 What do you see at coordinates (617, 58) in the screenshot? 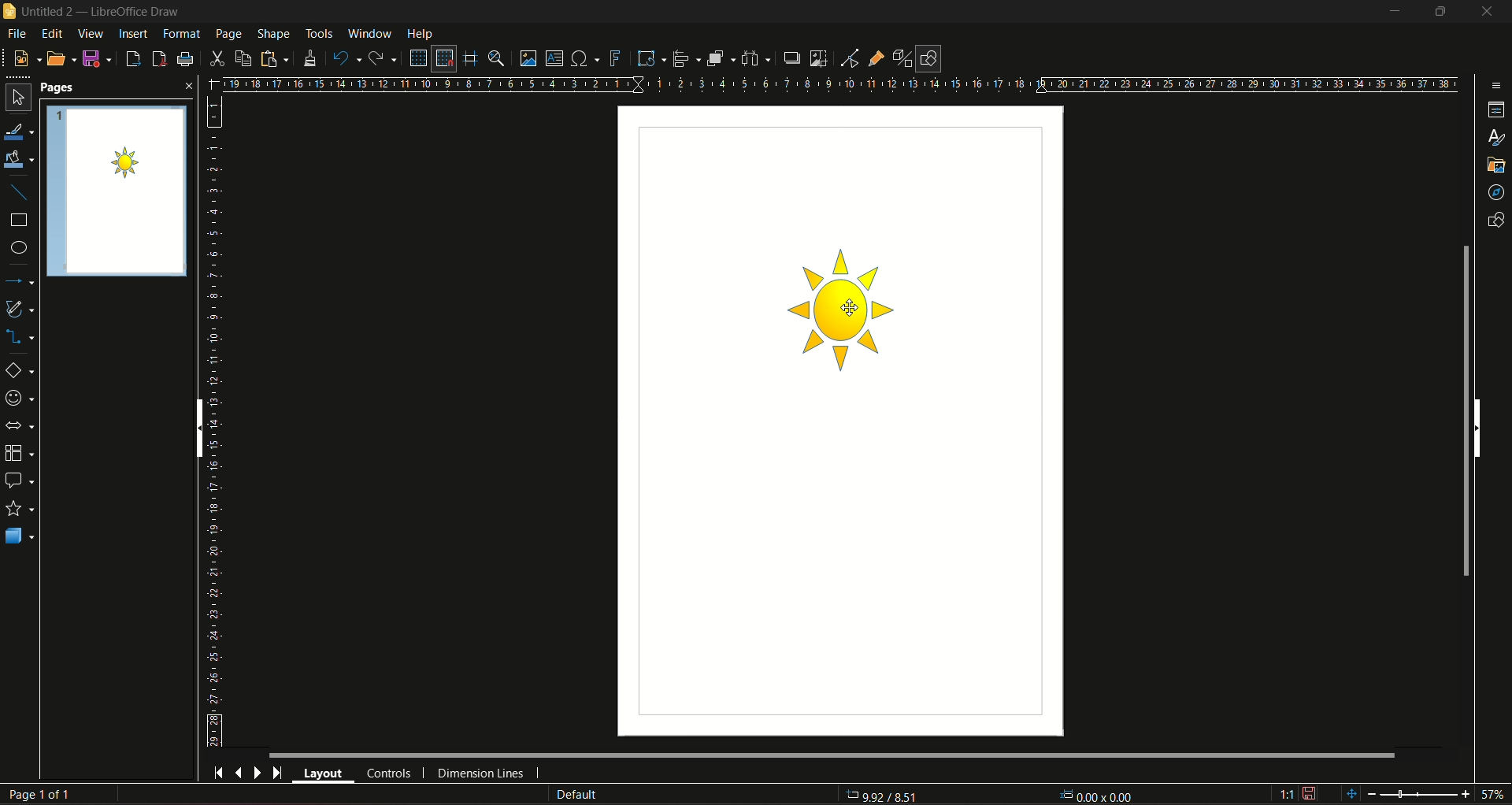
I see `insert fontwork` at bounding box center [617, 58].